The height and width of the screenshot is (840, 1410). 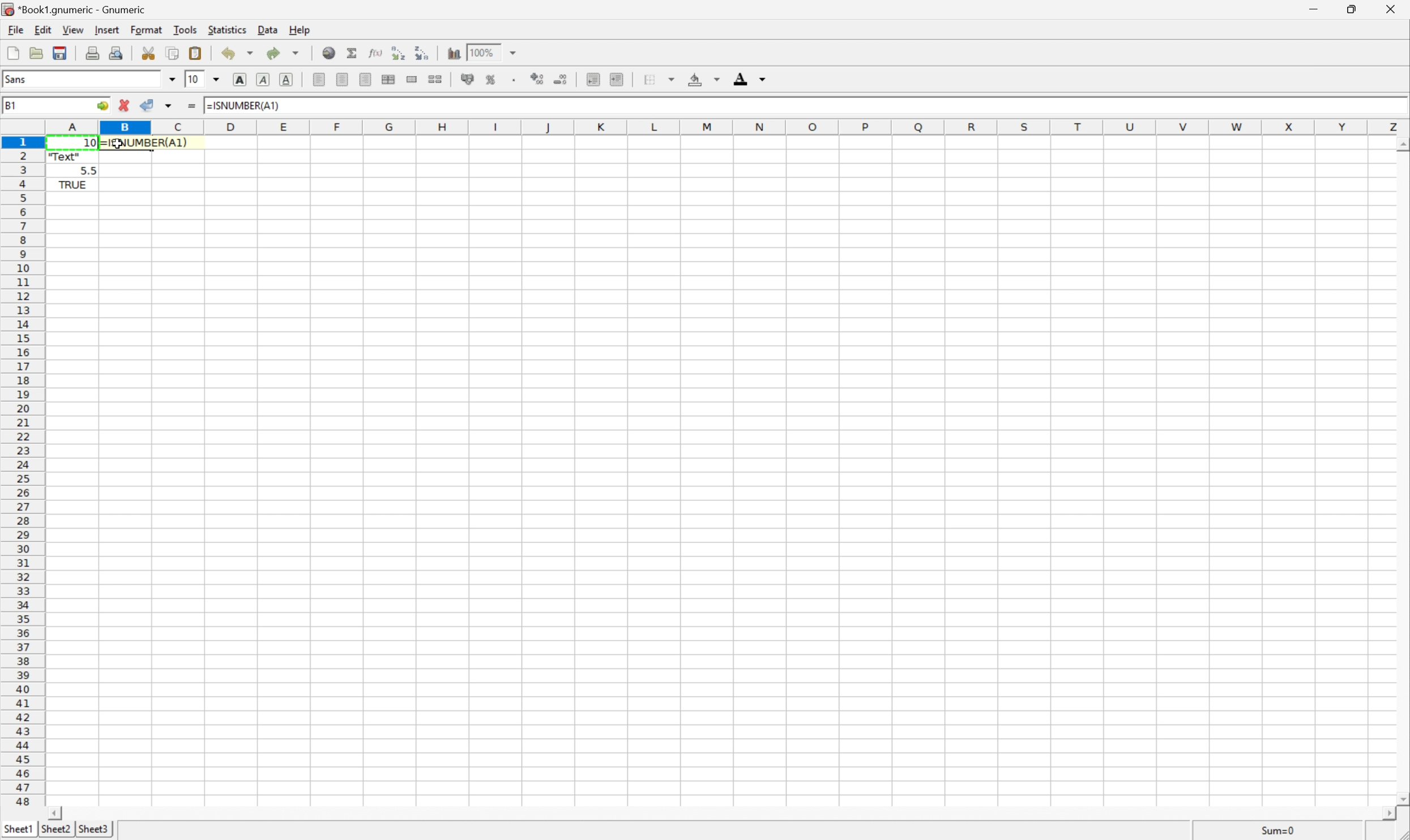 I want to click on Format selection as percentage, so click(x=490, y=79).